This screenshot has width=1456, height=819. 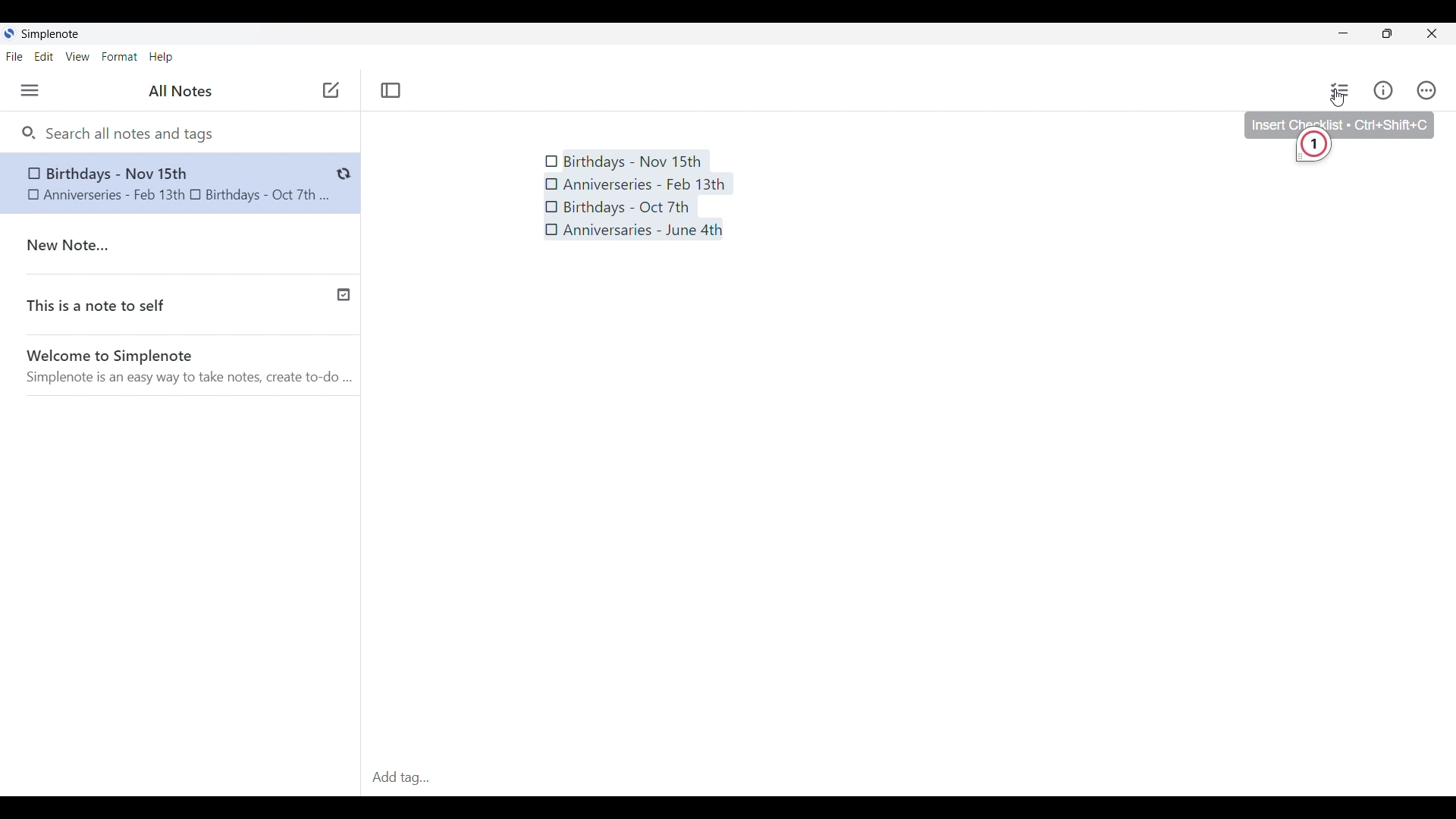 I want to click on Add tag(Click to type in tag), so click(x=908, y=779).